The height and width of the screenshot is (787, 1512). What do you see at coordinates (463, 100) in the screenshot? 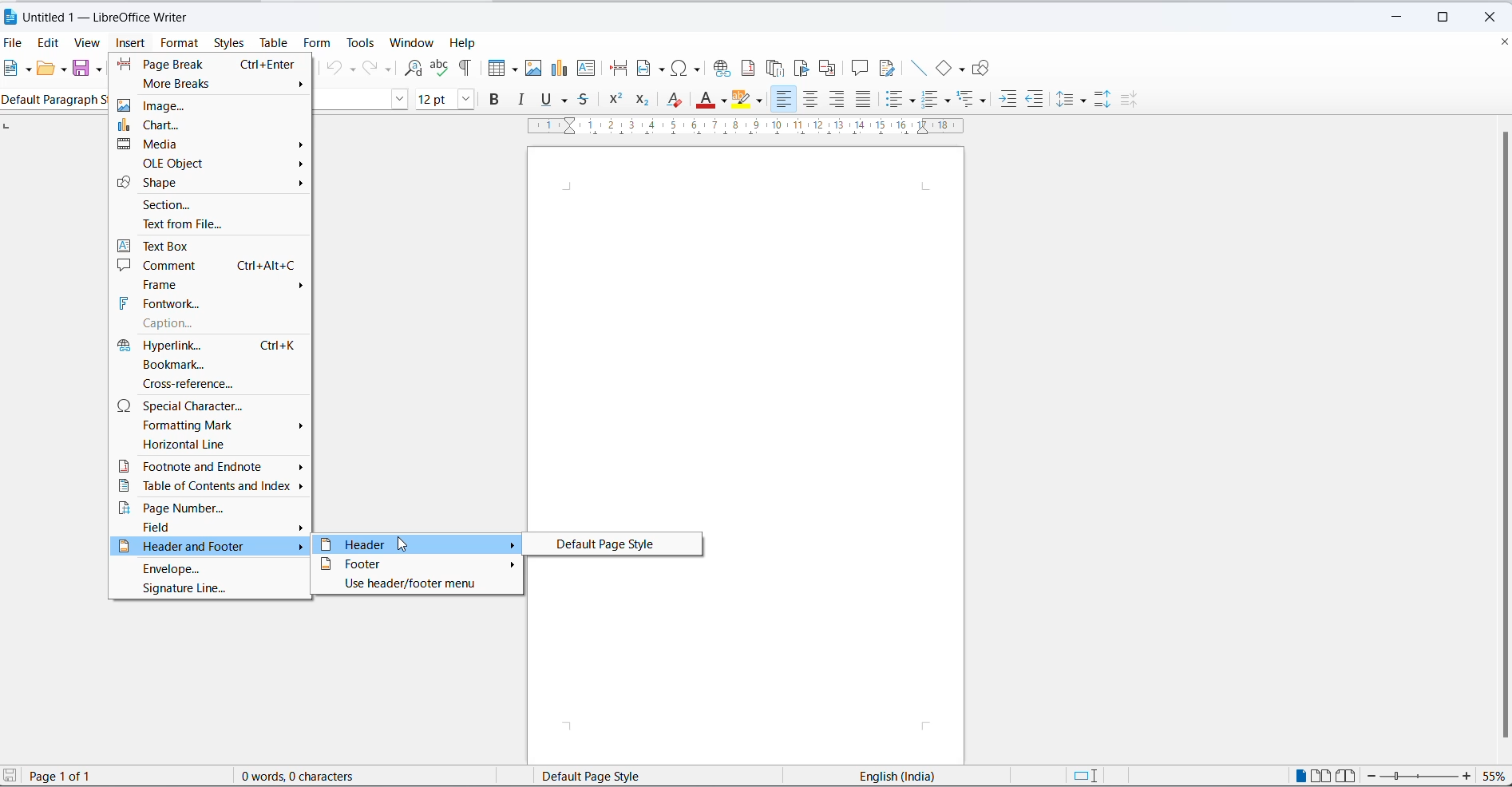
I see `font size options` at bounding box center [463, 100].